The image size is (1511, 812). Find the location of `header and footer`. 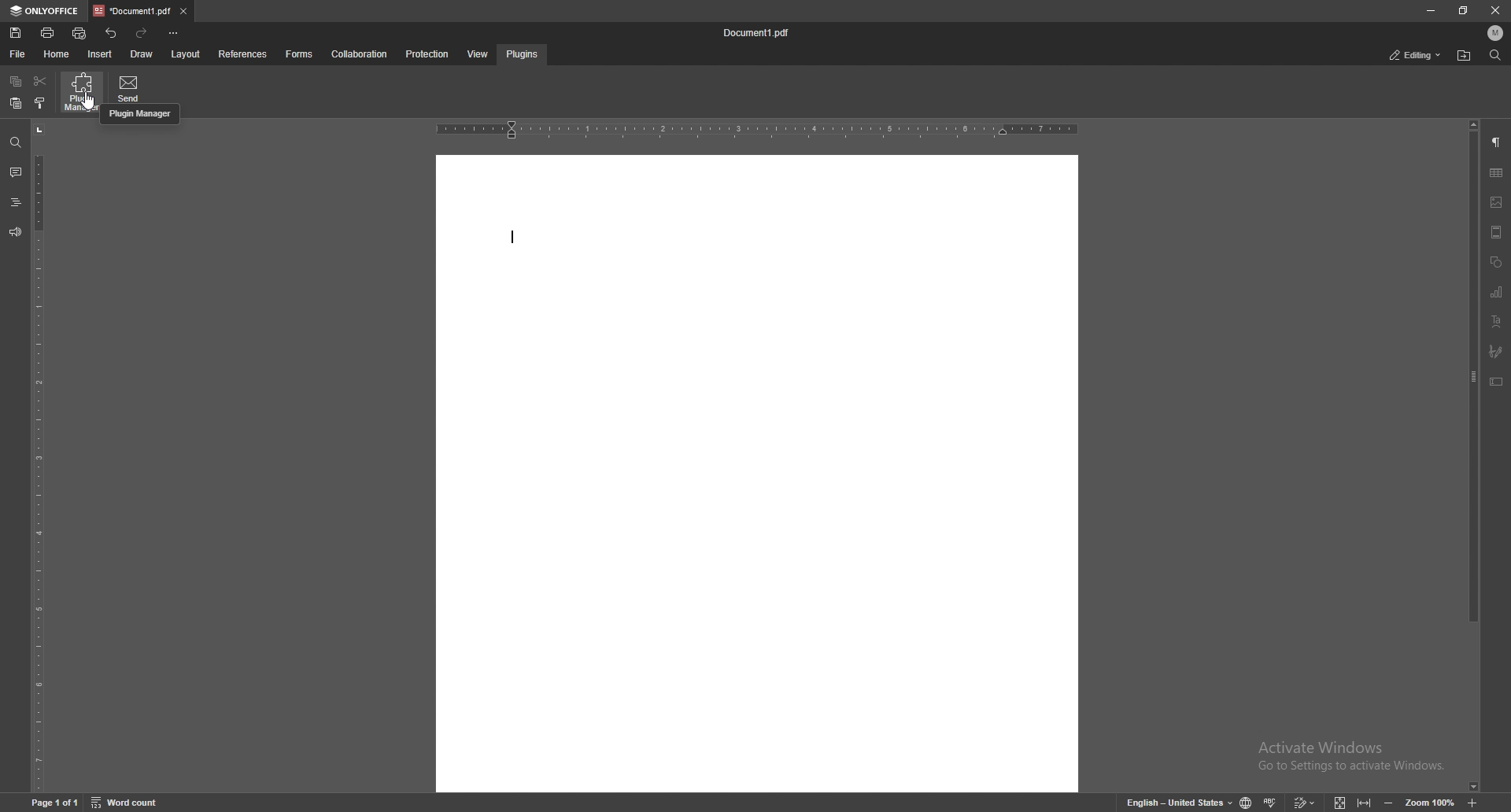

header and footer is located at coordinates (1498, 231).